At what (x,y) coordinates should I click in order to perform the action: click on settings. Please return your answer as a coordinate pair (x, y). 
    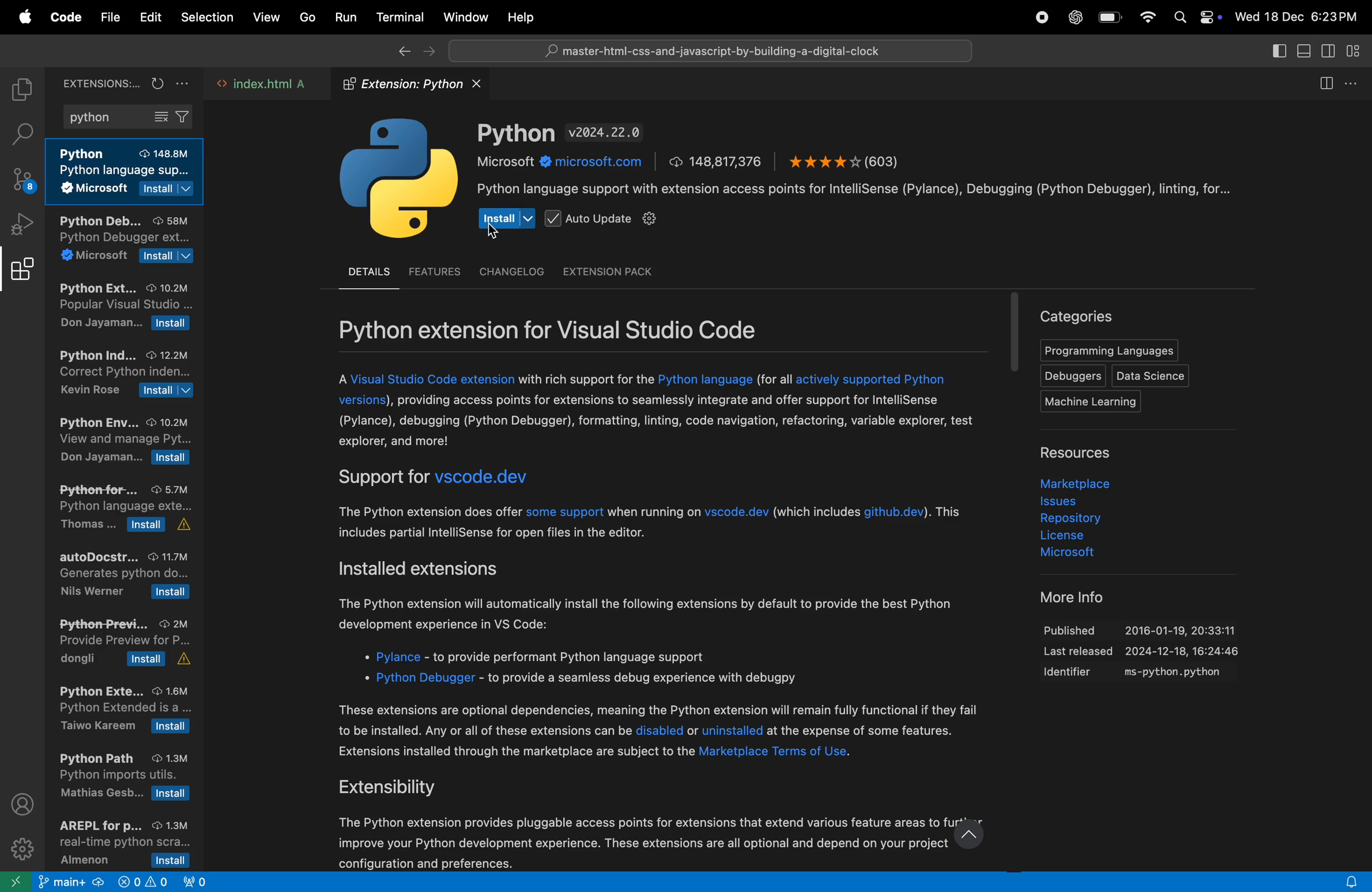
    Looking at the image, I should click on (23, 848).